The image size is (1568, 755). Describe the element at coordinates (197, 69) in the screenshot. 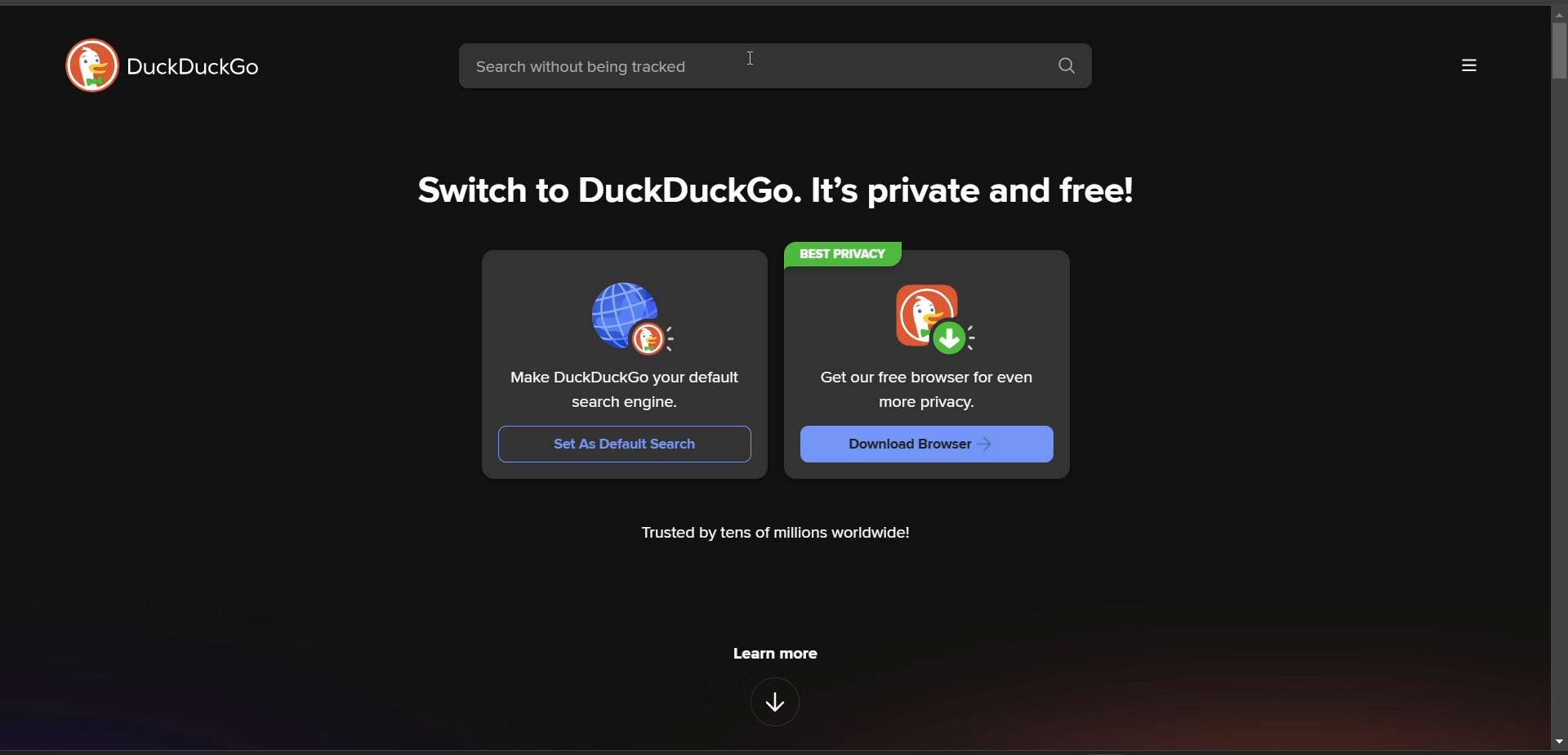

I see `duckDuckGo` at that location.